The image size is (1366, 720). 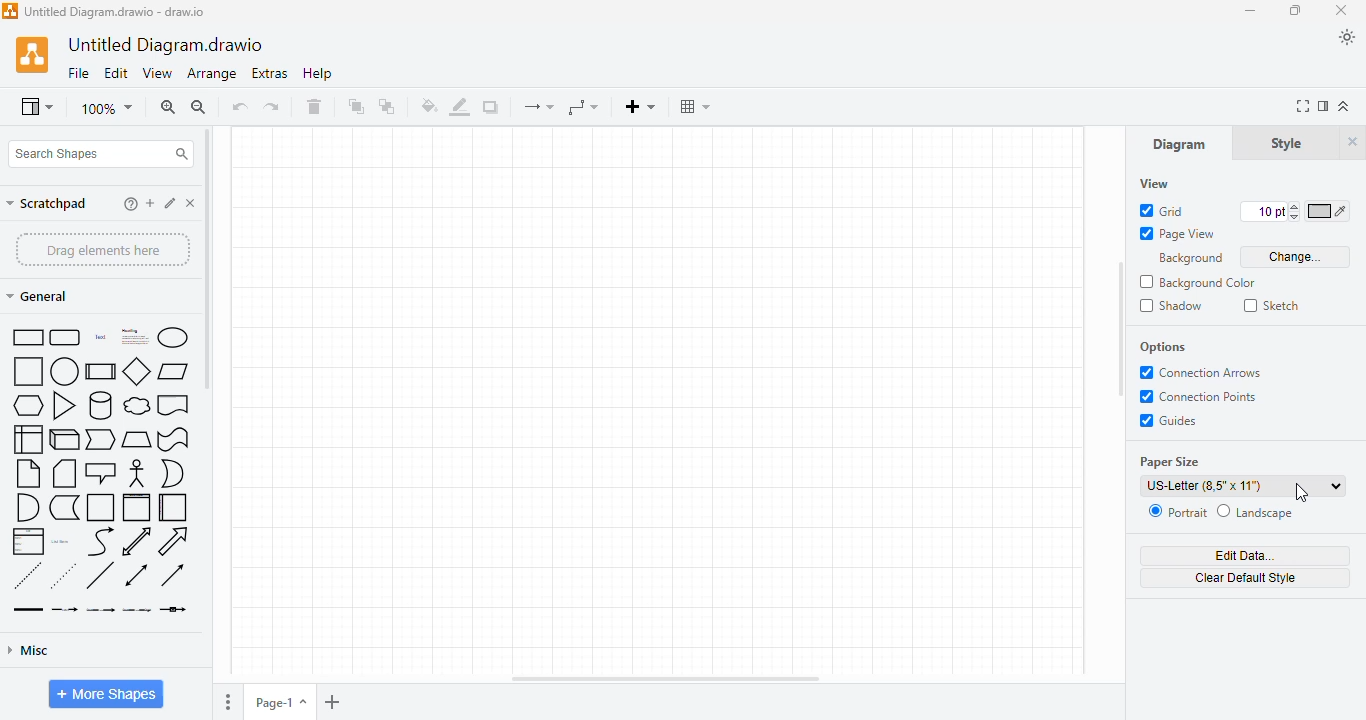 What do you see at coordinates (28, 439) in the screenshot?
I see `internal storage` at bounding box center [28, 439].